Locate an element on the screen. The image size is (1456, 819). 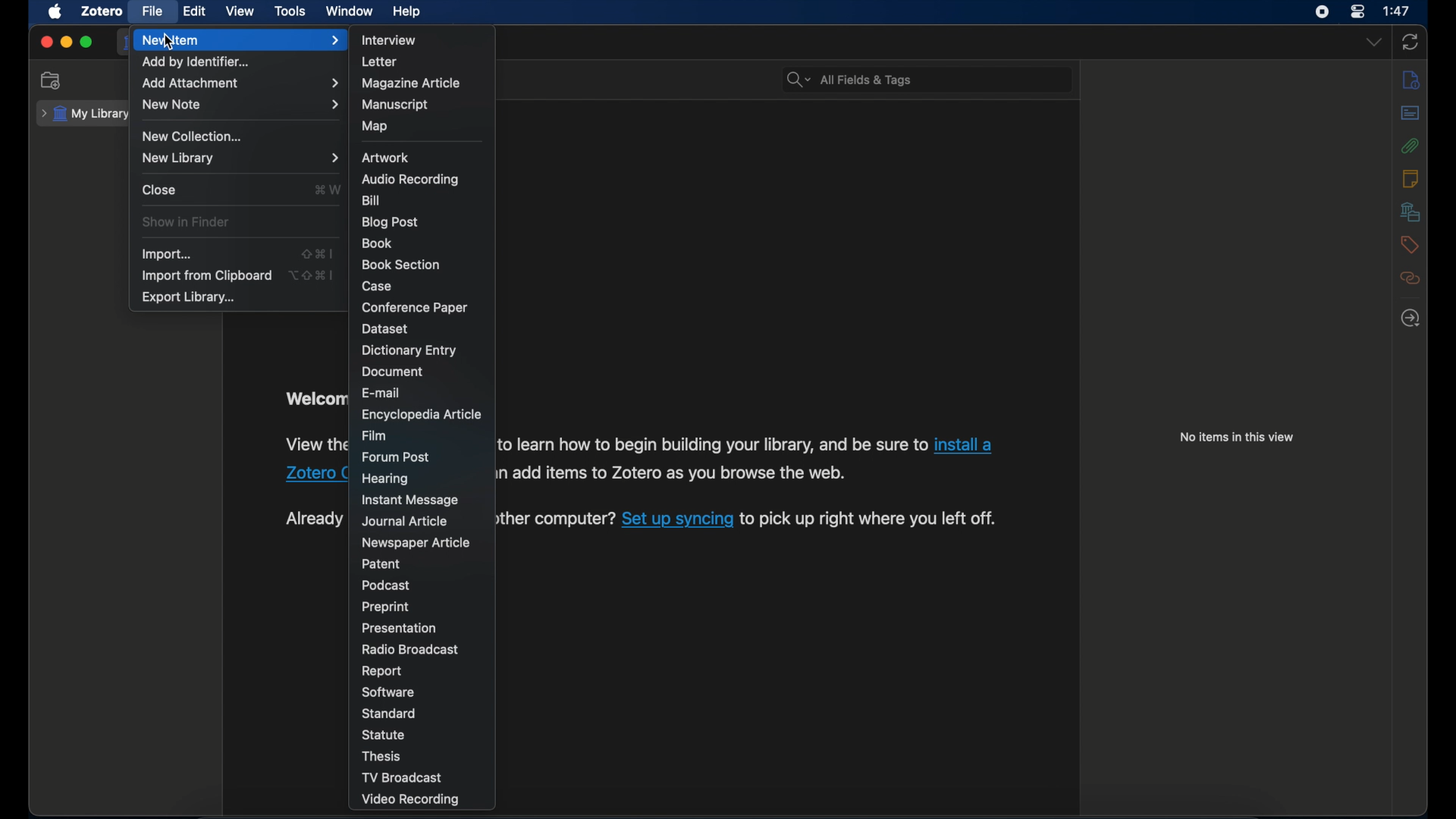
tv broadcast is located at coordinates (400, 777).